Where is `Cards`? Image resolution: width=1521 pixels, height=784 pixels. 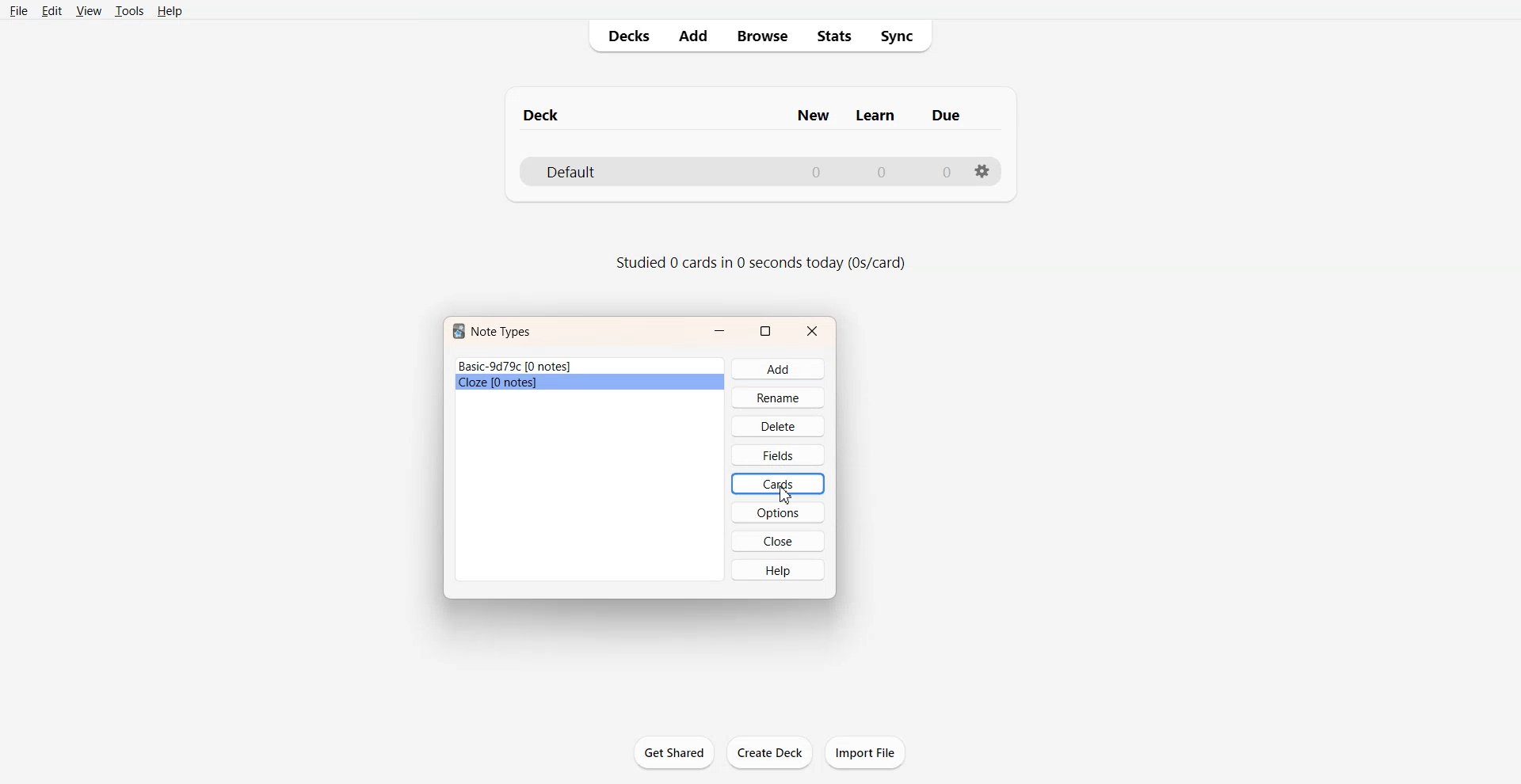
Cards is located at coordinates (778, 483).